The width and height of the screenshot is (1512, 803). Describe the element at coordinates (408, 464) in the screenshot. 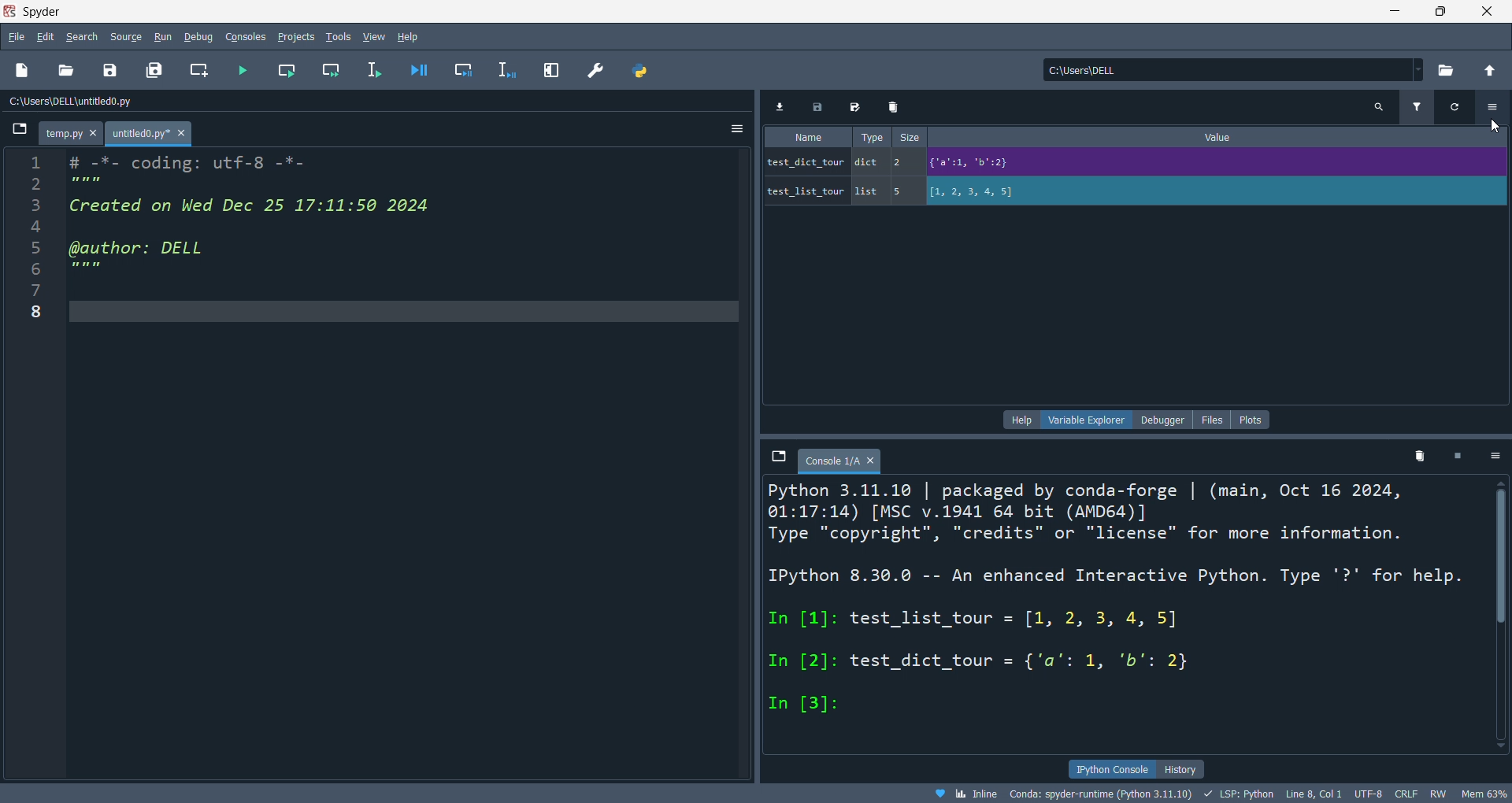

I see `editor pane` at that location.